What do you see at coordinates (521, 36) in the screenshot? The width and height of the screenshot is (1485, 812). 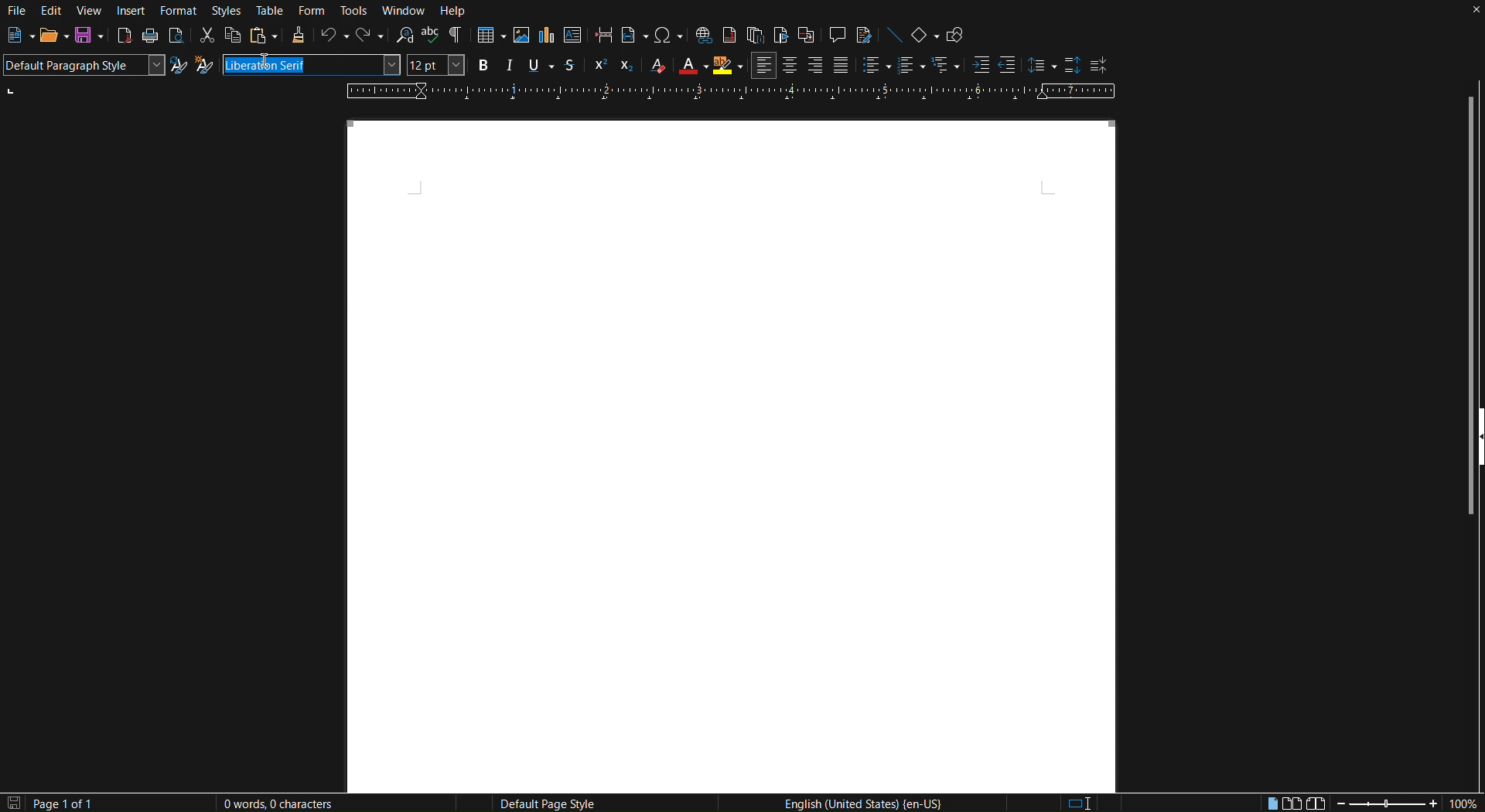 I see `Insert Image` at bounding box center [521, 36].